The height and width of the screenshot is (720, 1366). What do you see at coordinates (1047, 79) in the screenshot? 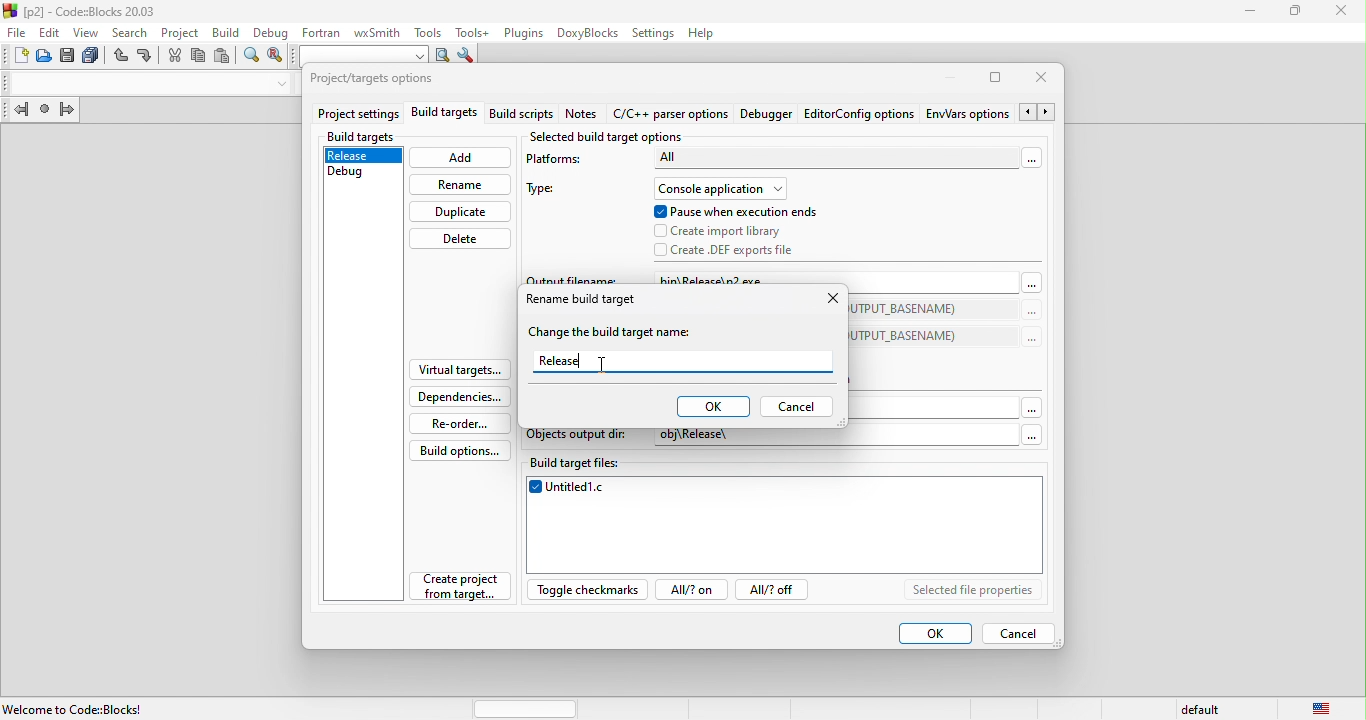
I see `close` at bounding box center [1047, 79].